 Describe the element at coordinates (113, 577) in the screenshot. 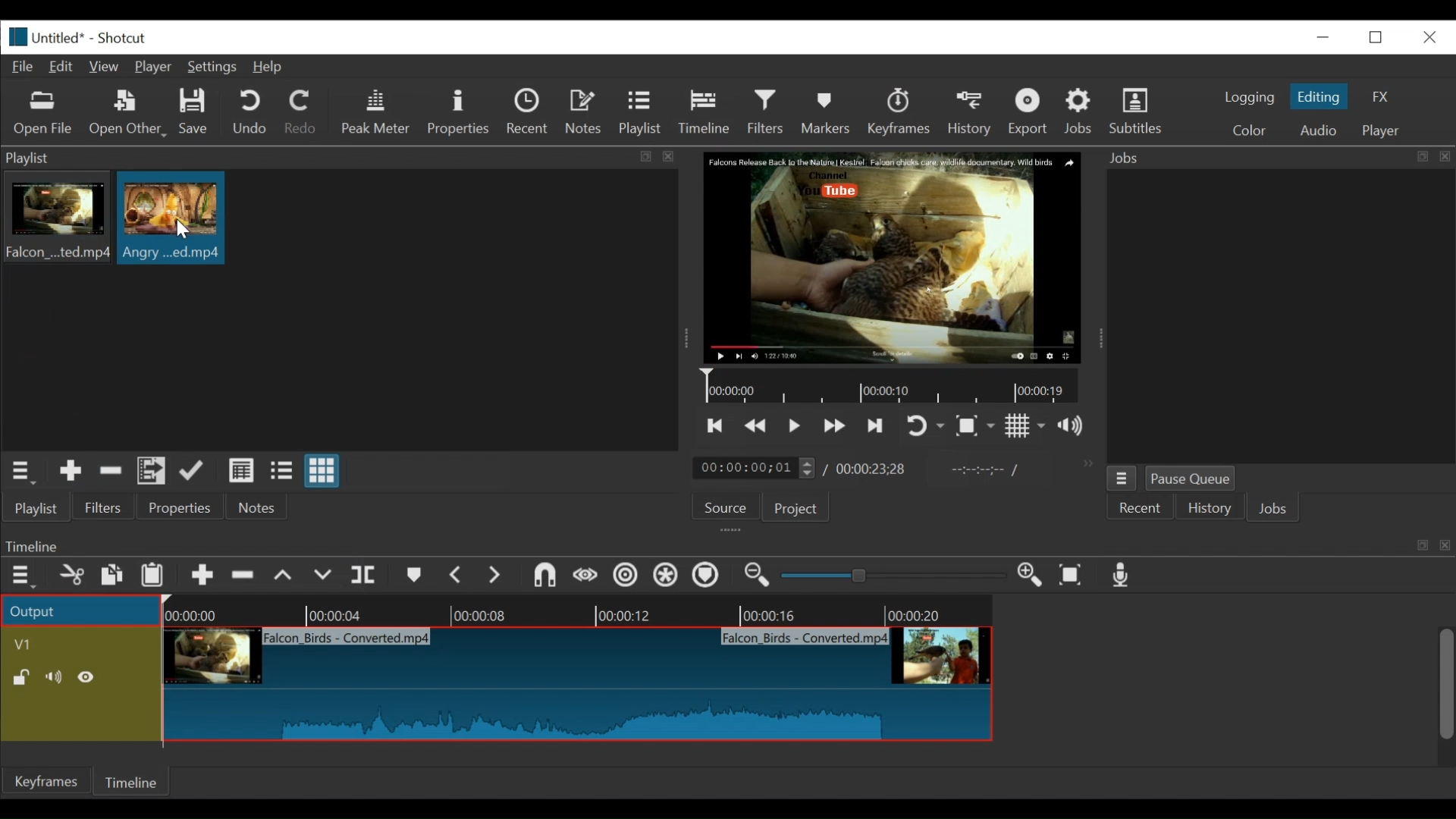

I see `copy` at that location.